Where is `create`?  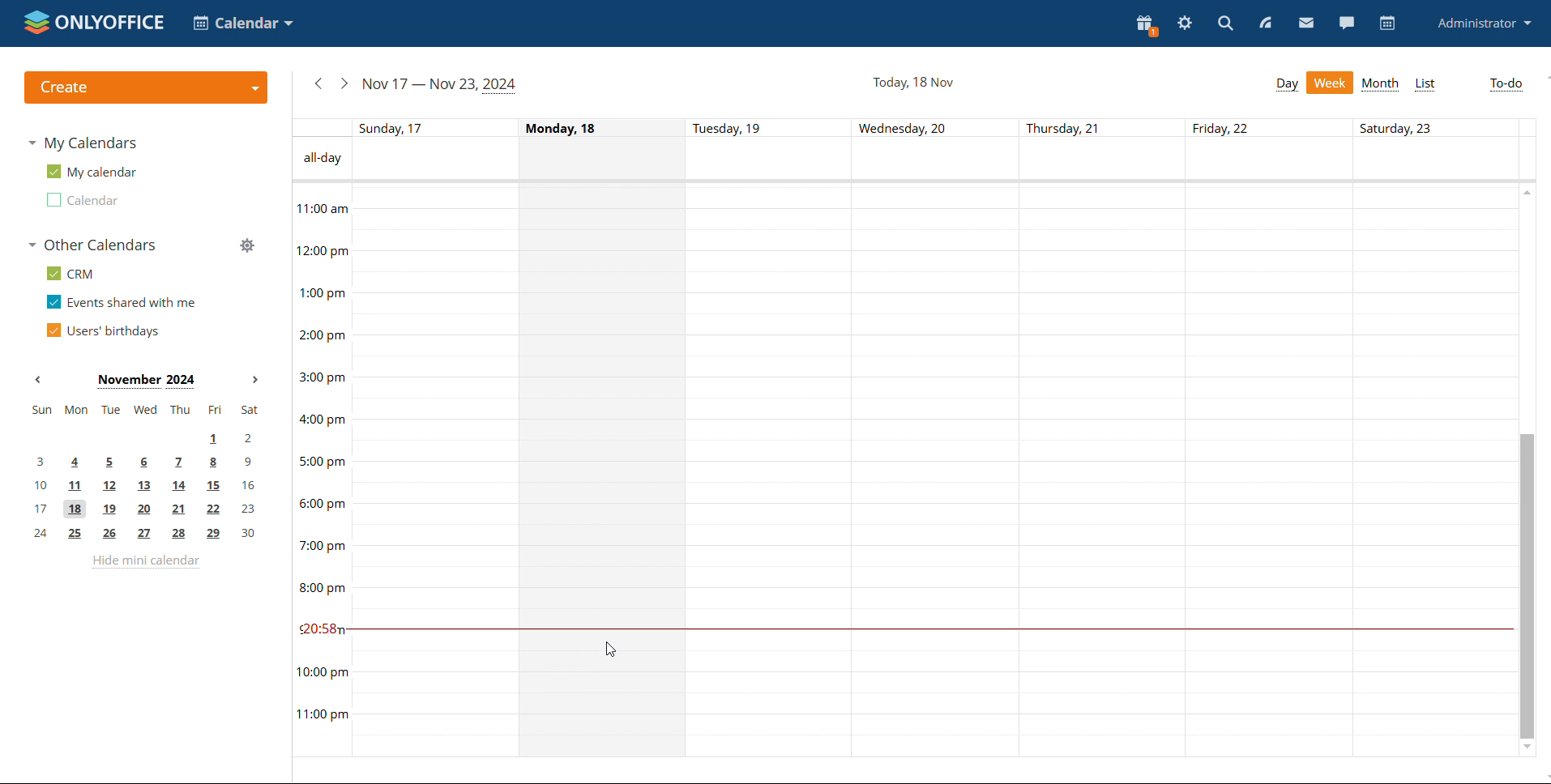 create is located at coordinates (147, 88).